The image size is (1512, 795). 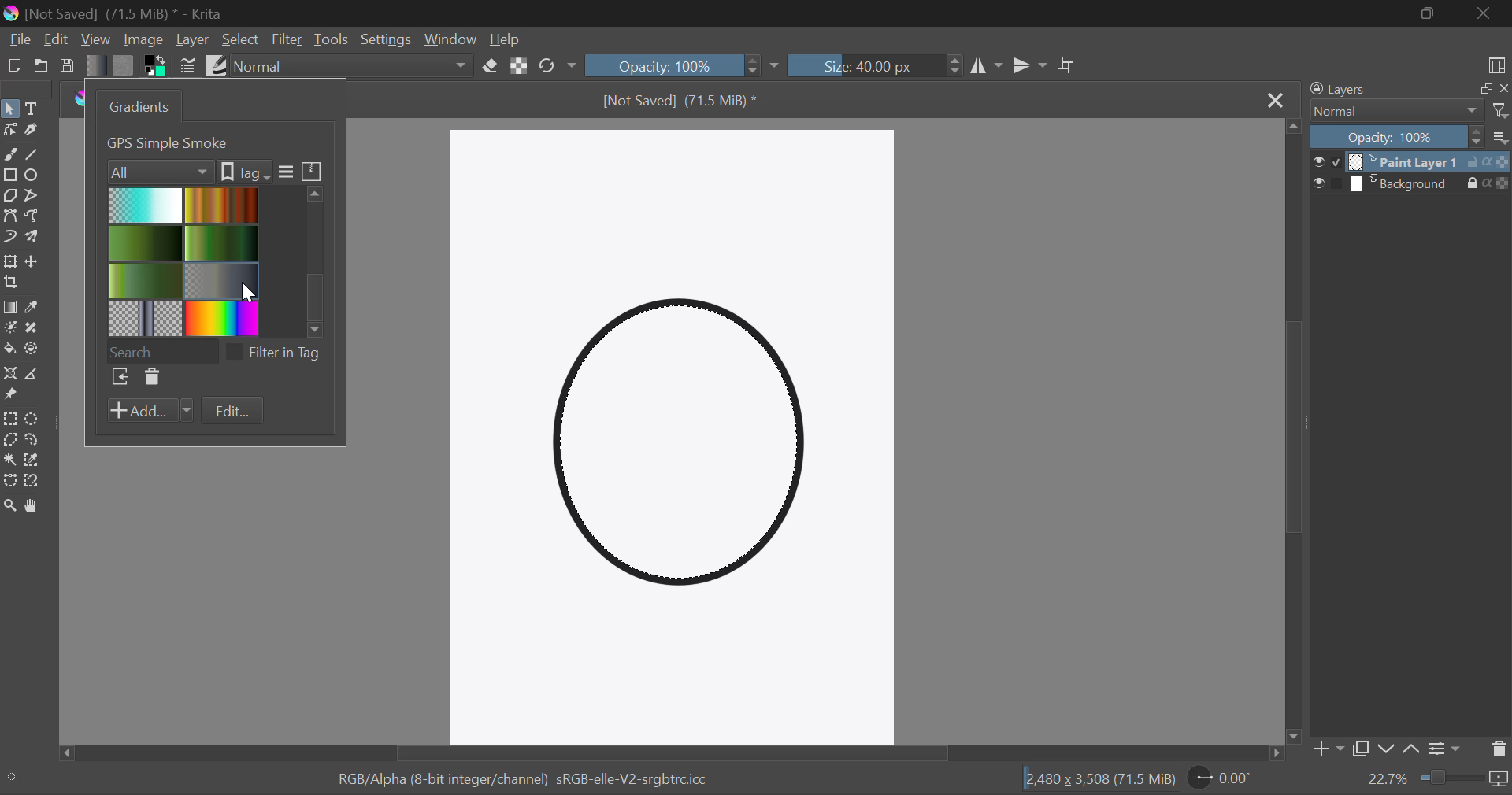 I want to click on Bezier Curve Selection, so click(x=10, y=483).